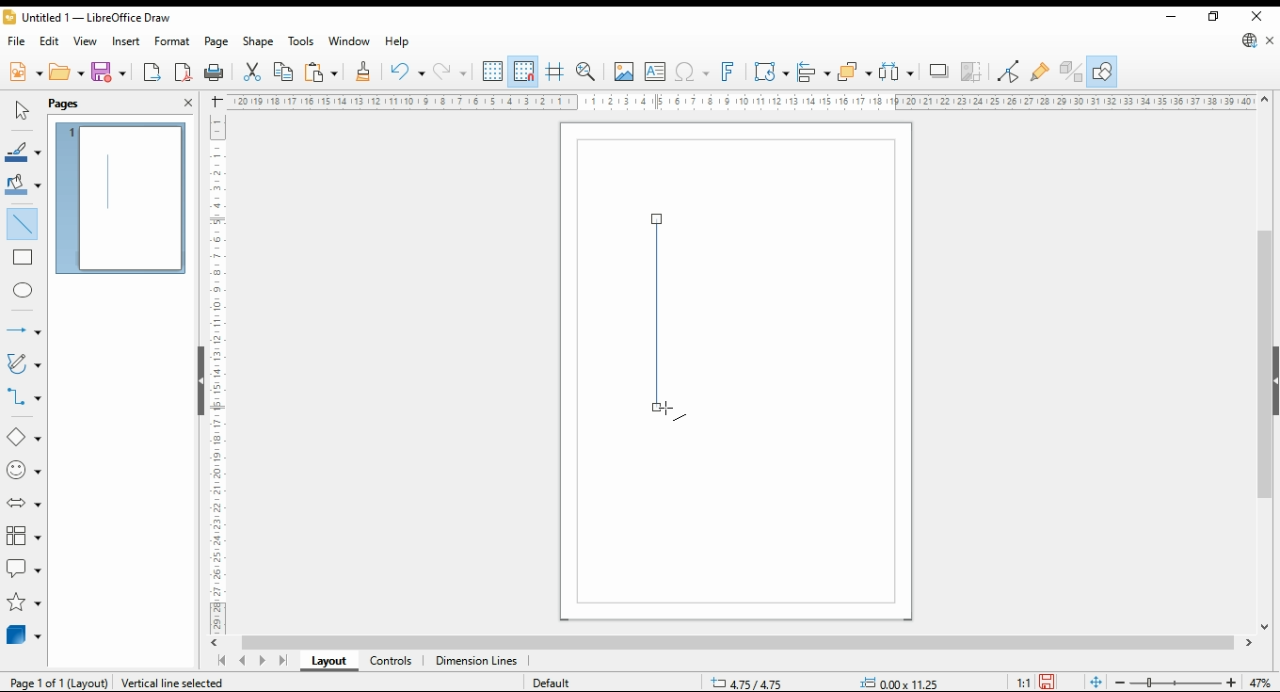  What do you see at coordinates (1071, 72) in the screenshot?
I see `toggle extrusions` at bounding box center [1071, 72].